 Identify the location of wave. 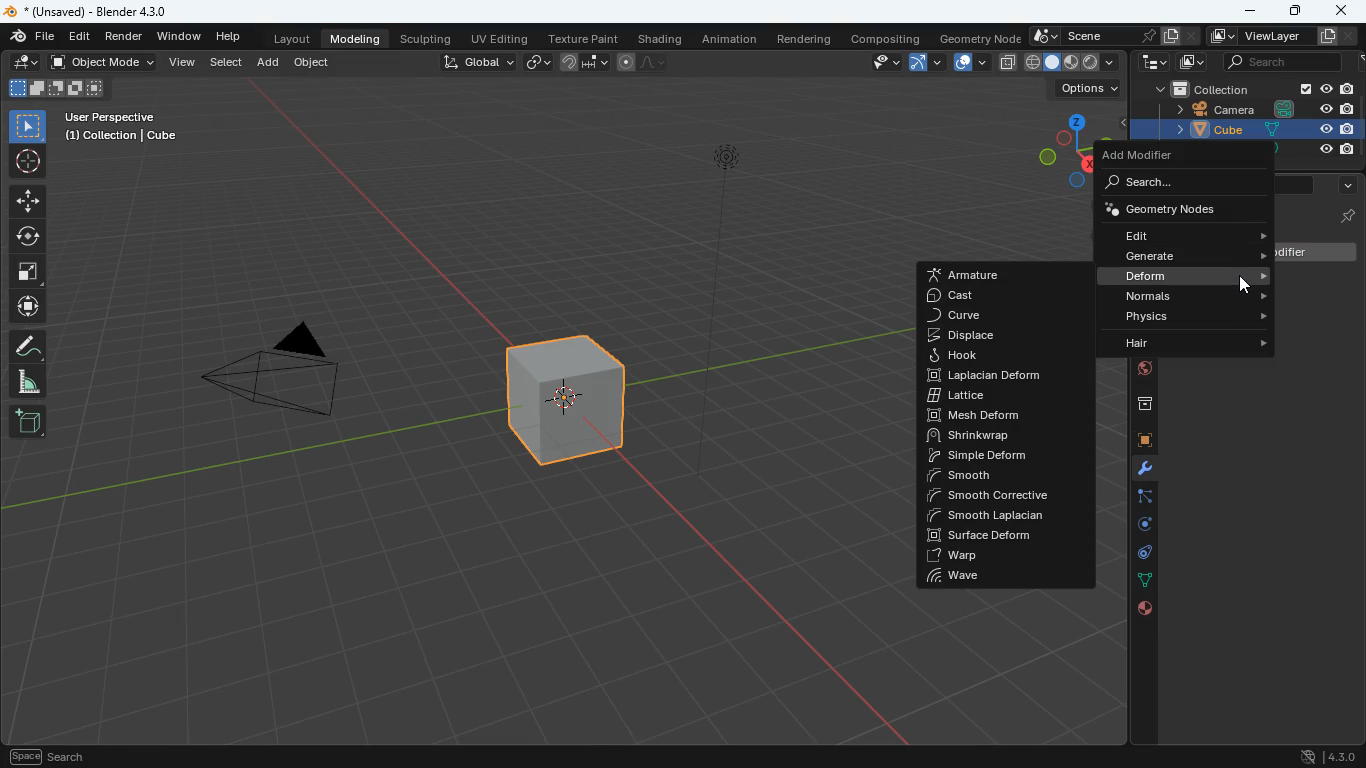
(1001, 577).